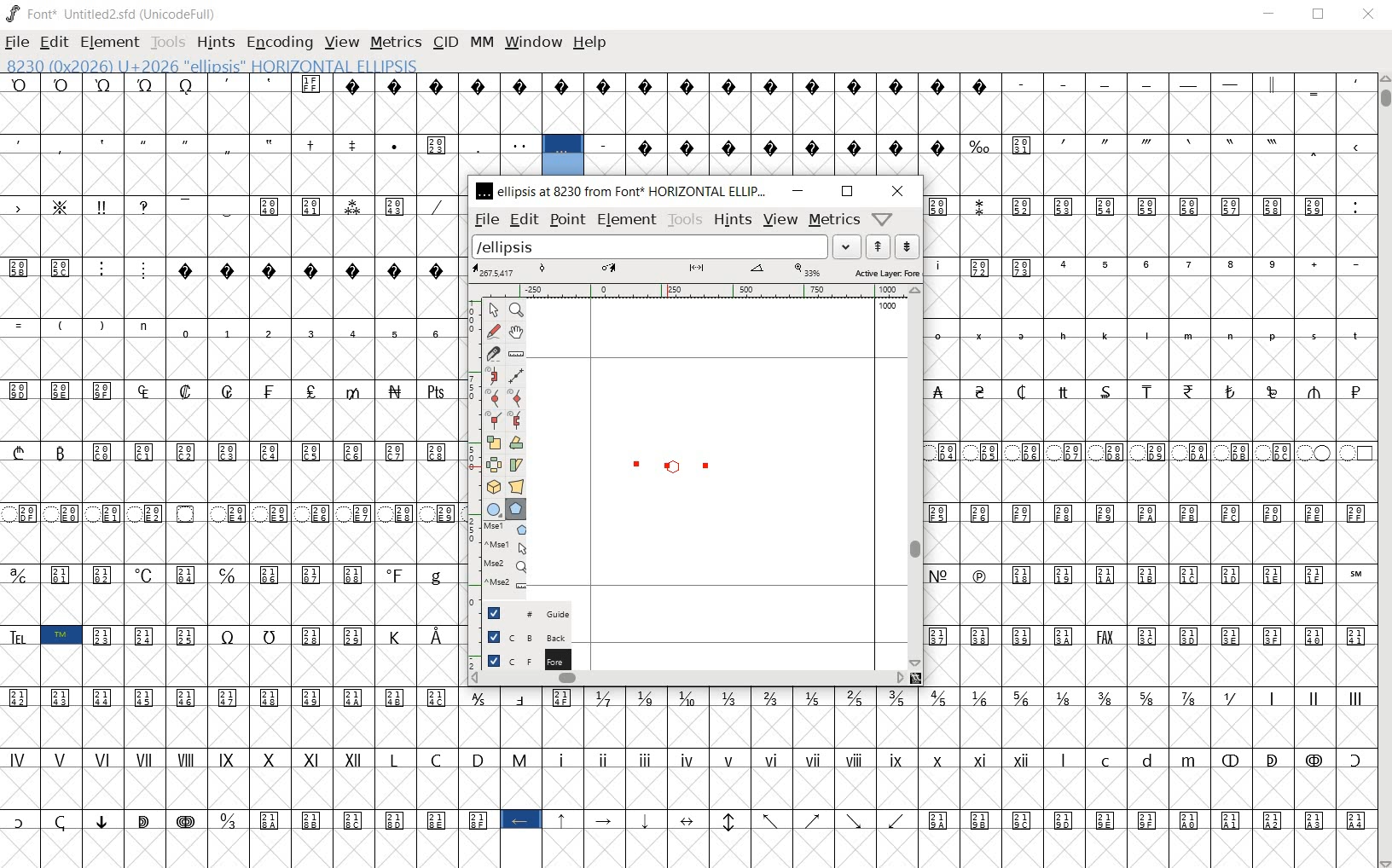 The width and height of the screenshot is (1392, 868). Describe the element at coordinates (340, 43) in the screenshot. I see `VIEW` at that location.